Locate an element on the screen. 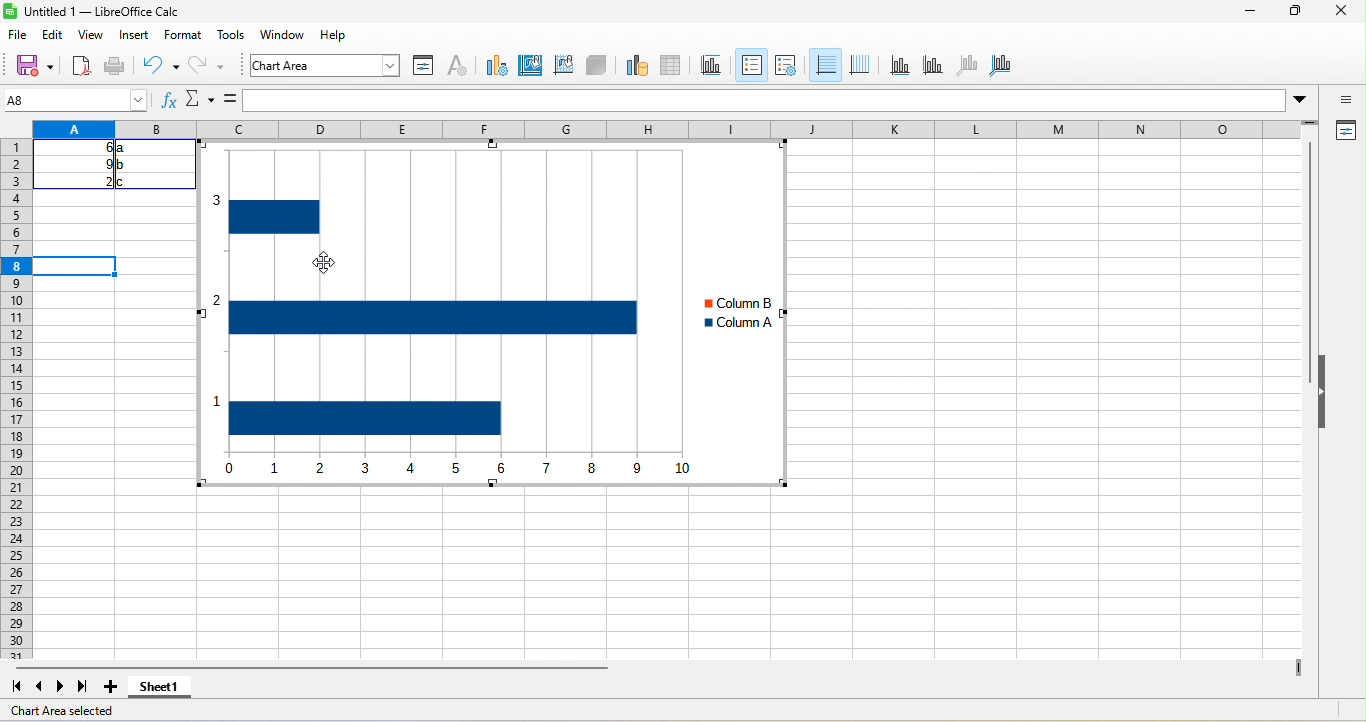 The height and width of the screenshot is (722, 1366). minimize is located at coordinates (1249, 12).